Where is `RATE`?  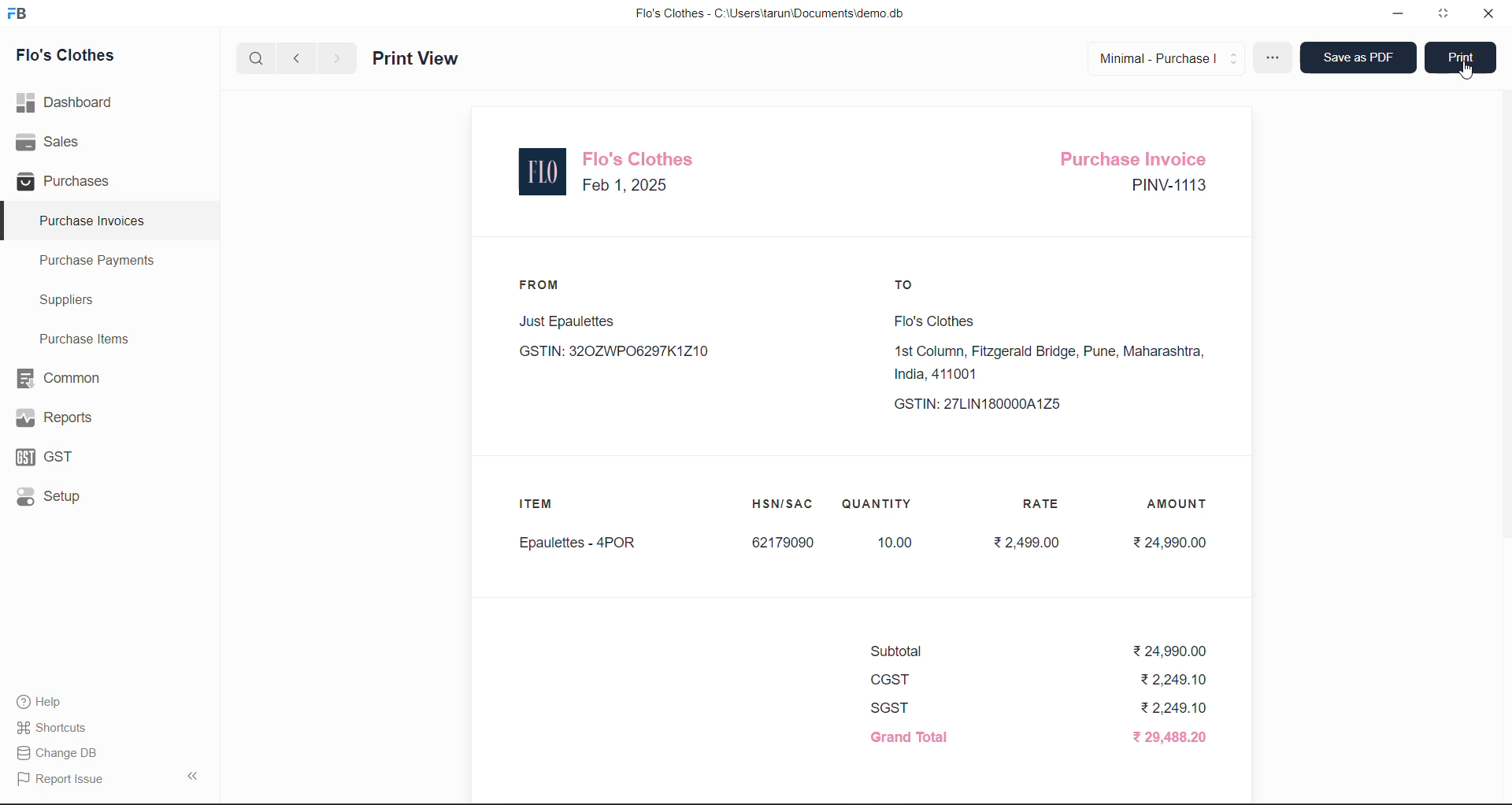 RATE is located at coordinates (1044, 502).